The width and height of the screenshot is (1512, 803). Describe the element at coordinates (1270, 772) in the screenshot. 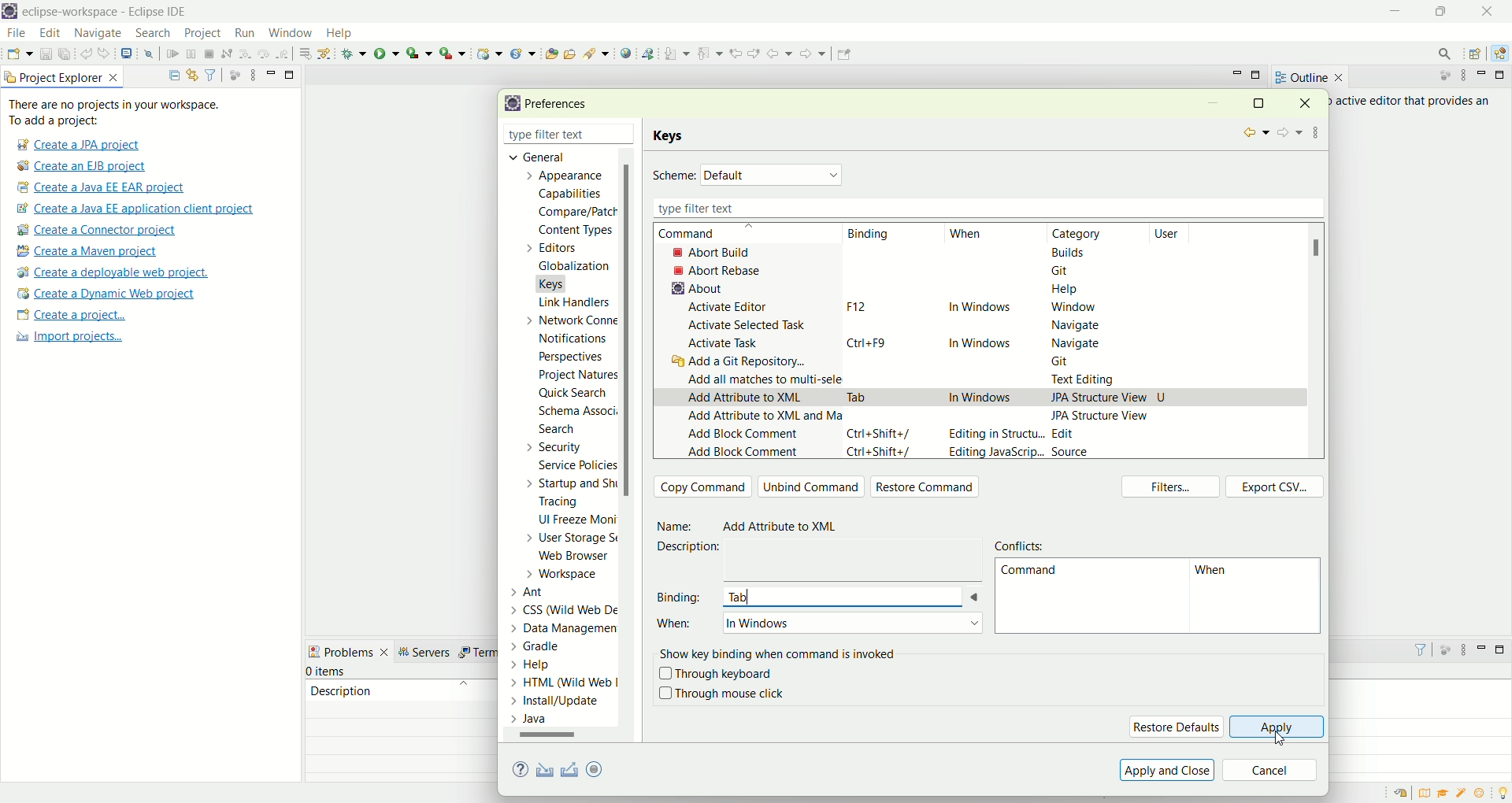

I see `cancel` at that location.